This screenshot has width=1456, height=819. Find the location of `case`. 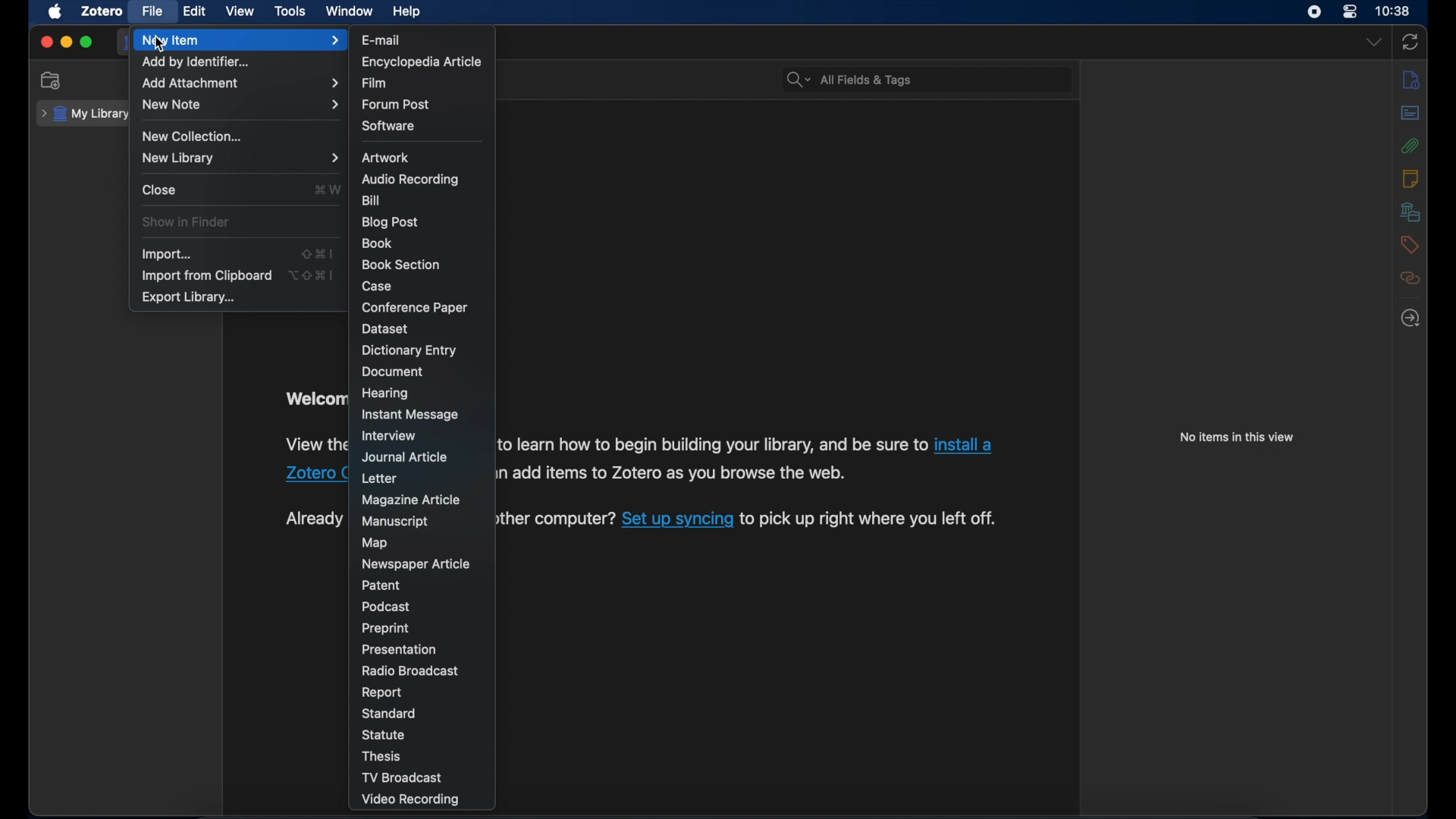

case is located at coordinates (379, 287).